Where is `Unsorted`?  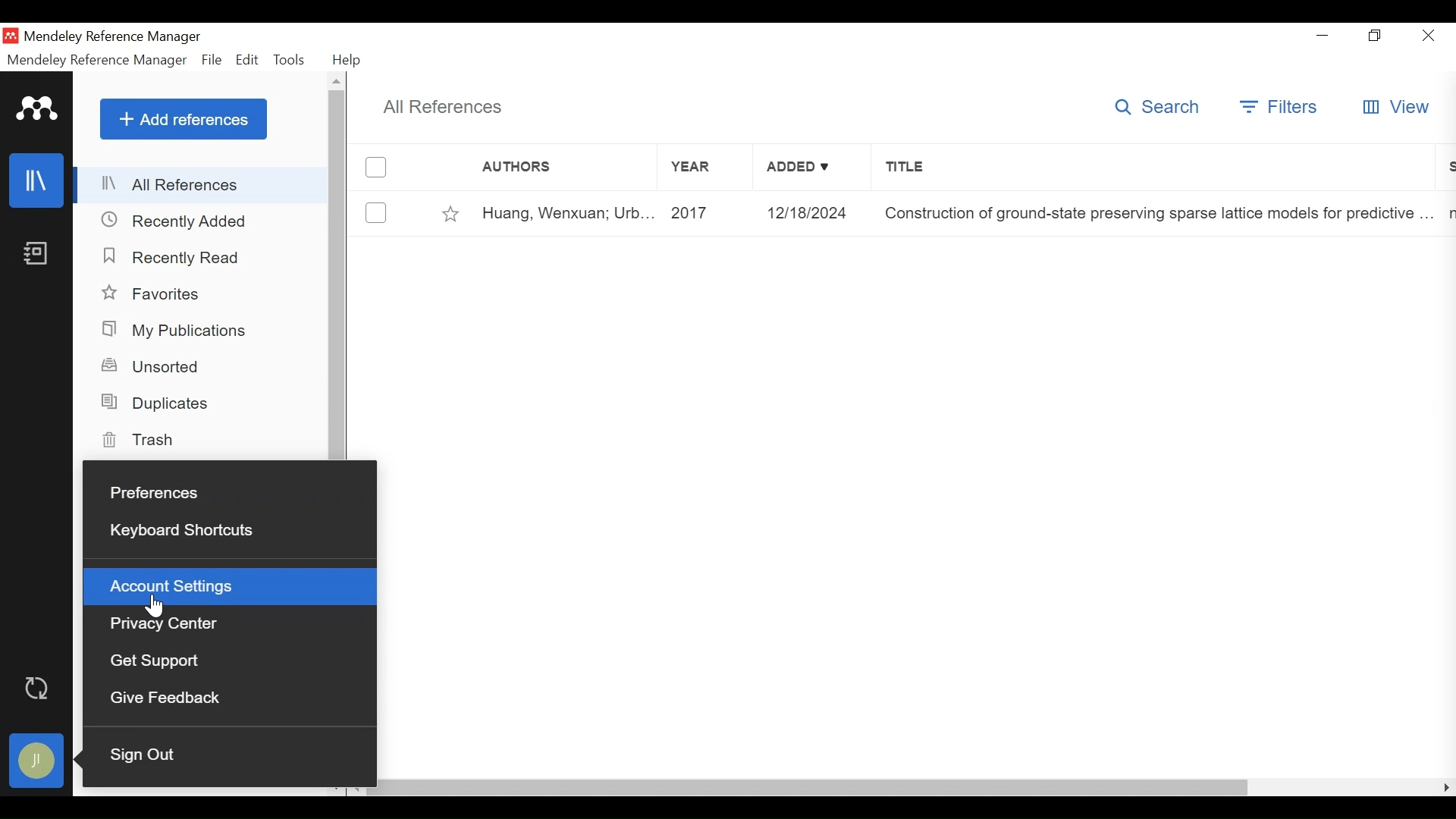
Unsorted is located at coordinates (154, 367).